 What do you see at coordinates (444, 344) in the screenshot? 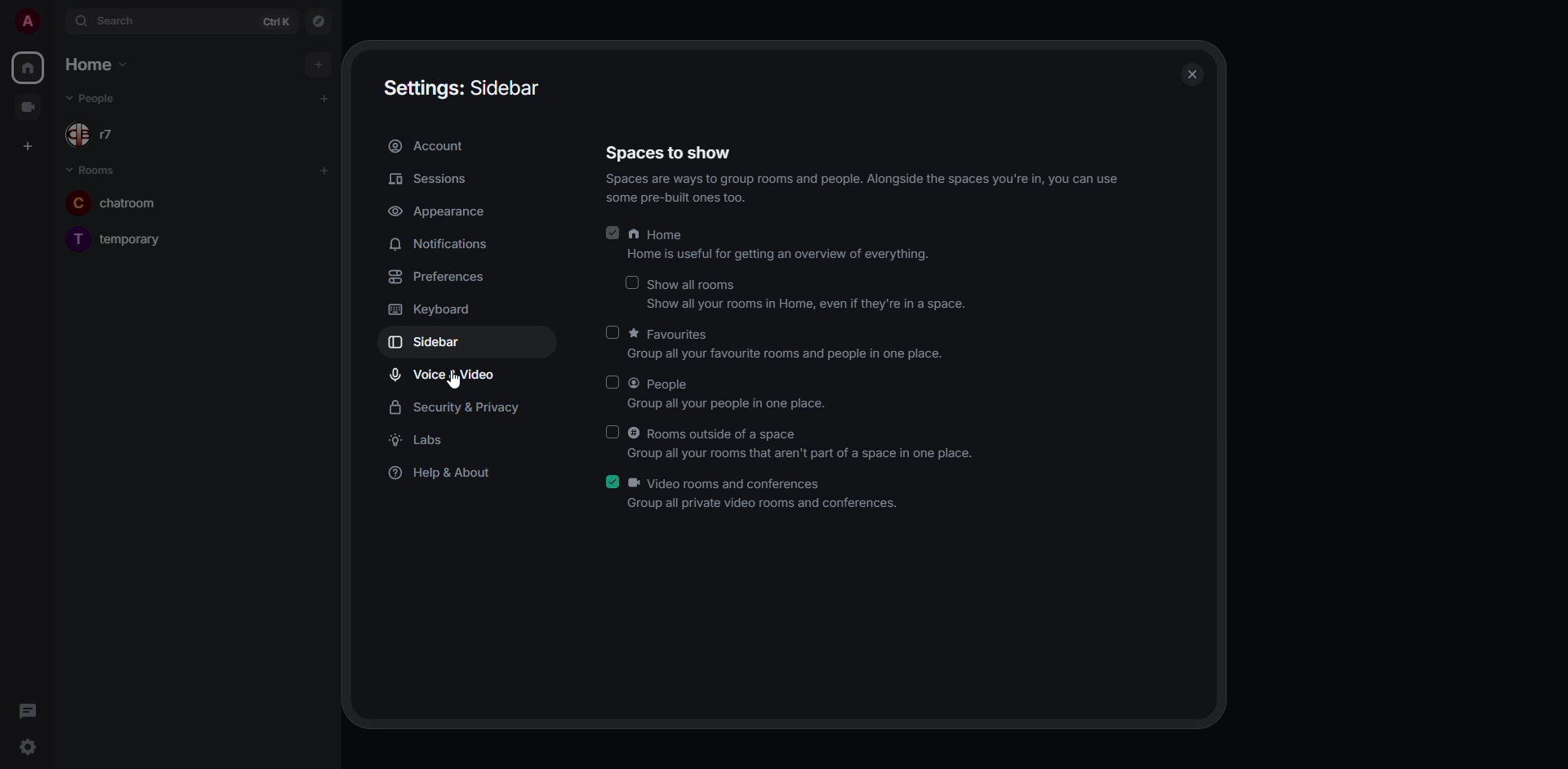
I see `sidebar` at bounding box center [444, 344].